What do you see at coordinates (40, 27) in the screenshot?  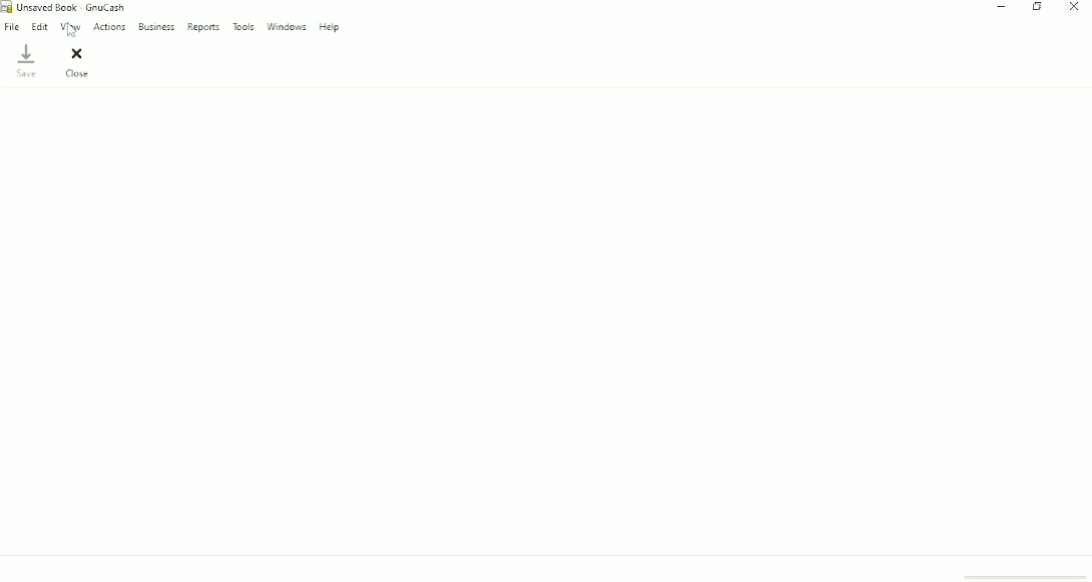 I see `Edit` at bounding box center [40, 27].